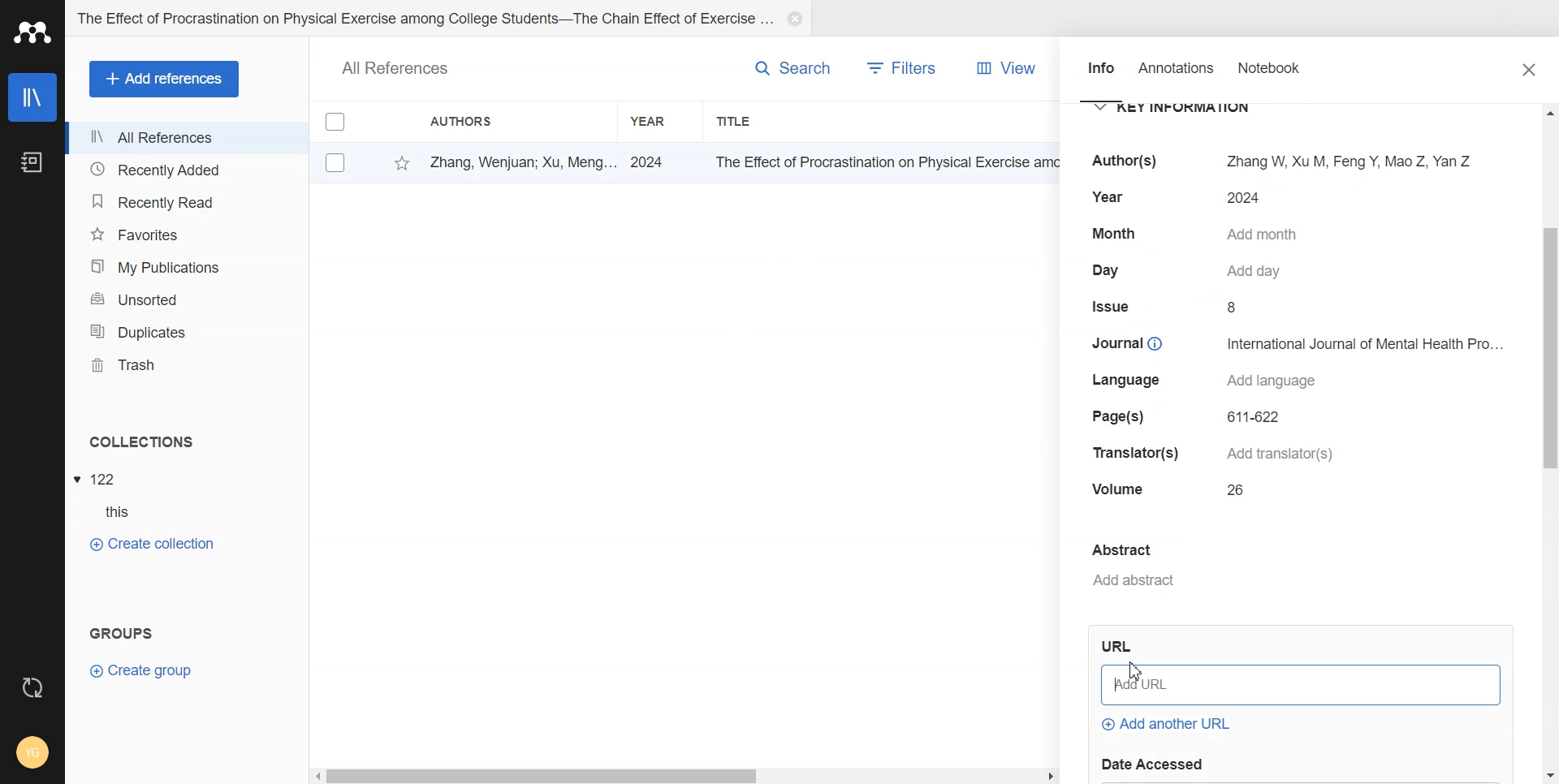 Image resolution: width=1559 pixels, height=784 pixels. I want to click on Year, so click(660, 120).